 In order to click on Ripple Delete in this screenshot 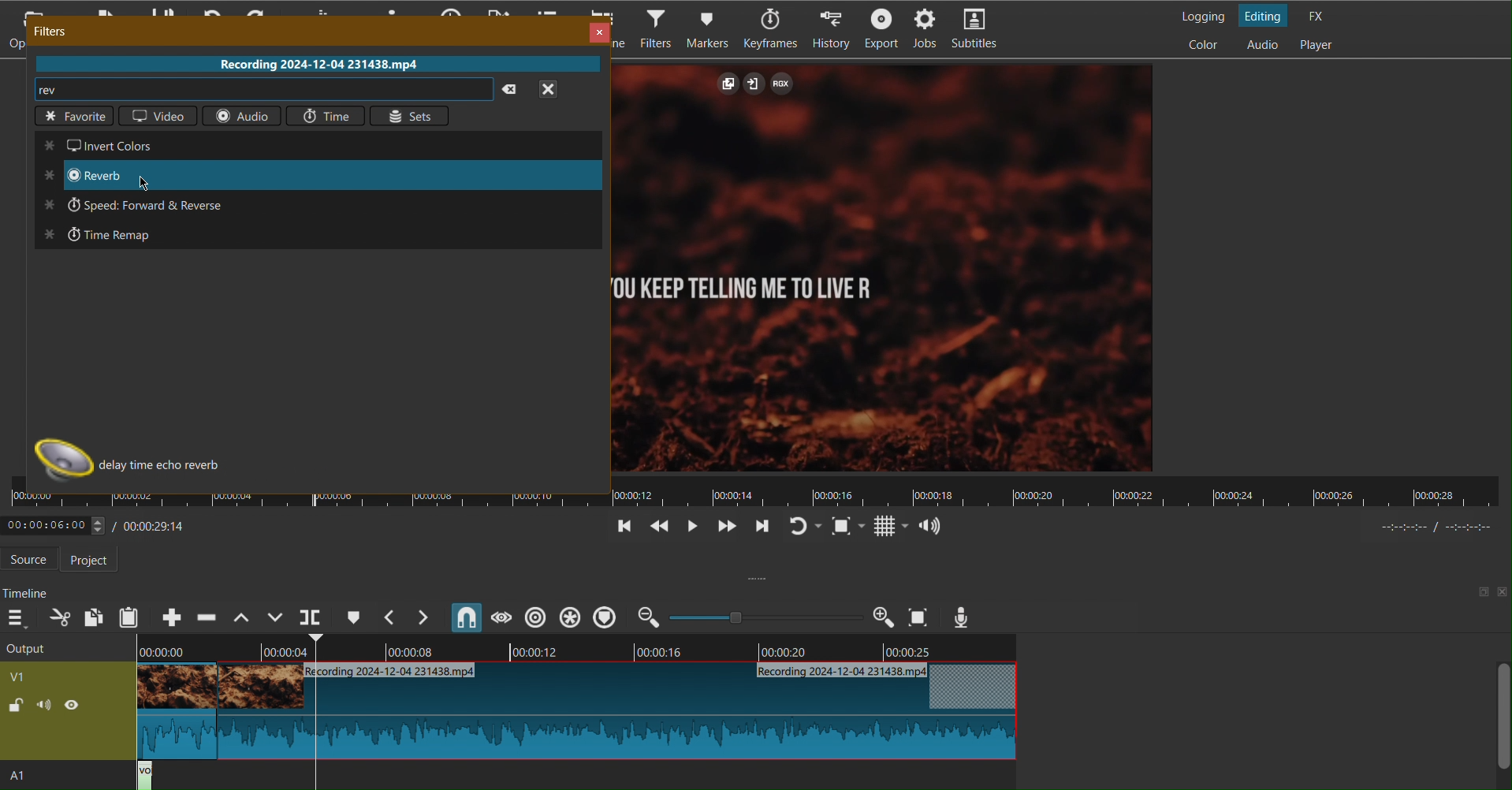, I will do `click(206, 617)`.